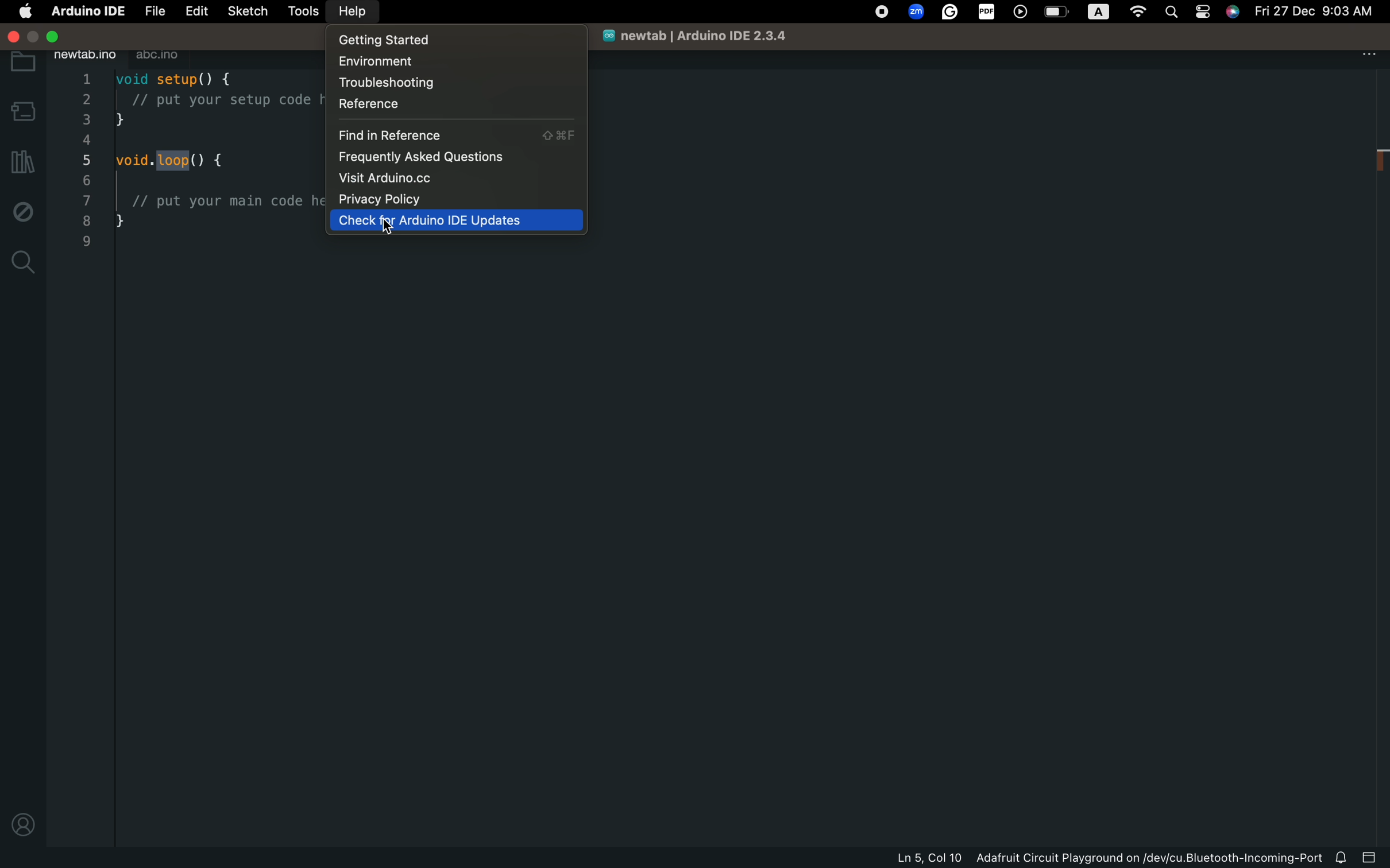  Describe the element at coordinates (23, 158) in the screenshot. I see `libraries manager` at that location.